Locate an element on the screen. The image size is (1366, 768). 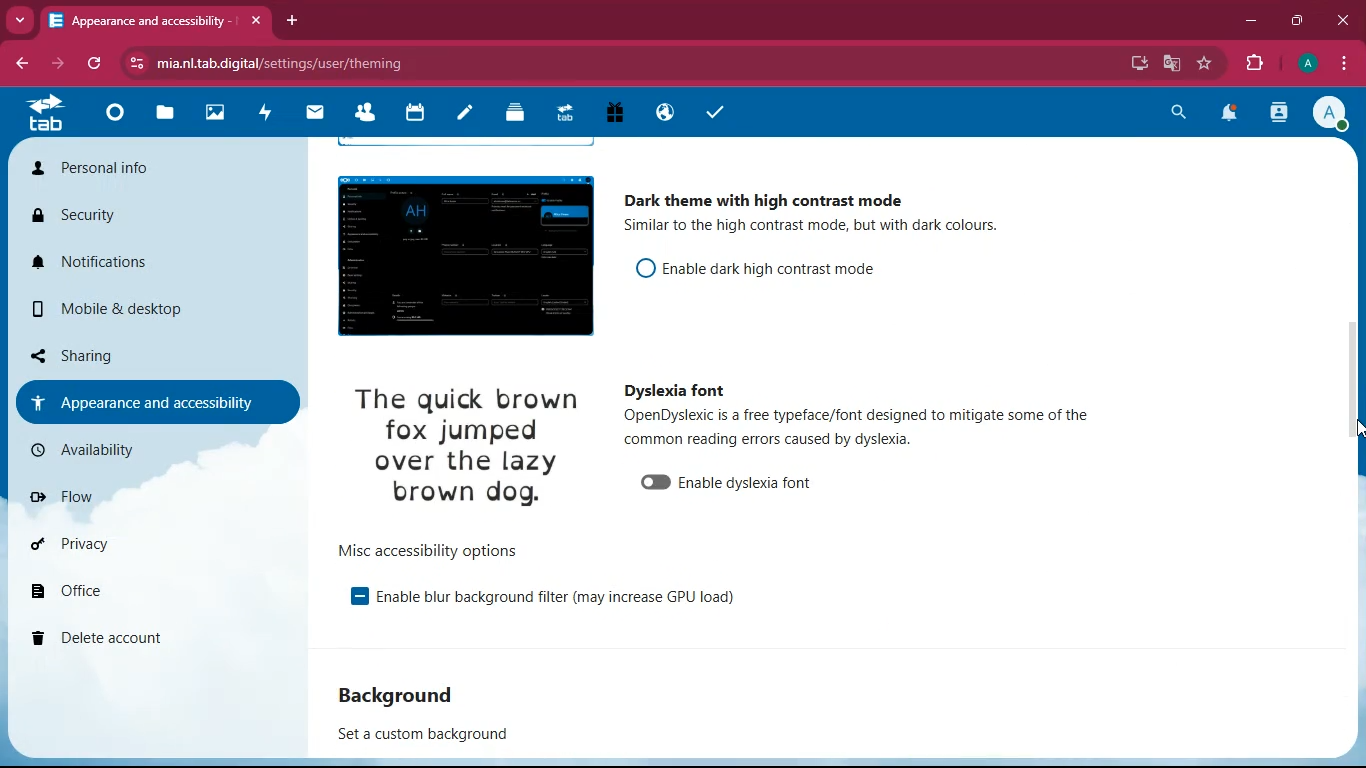
desktop is located at coordinates (1137, 65).